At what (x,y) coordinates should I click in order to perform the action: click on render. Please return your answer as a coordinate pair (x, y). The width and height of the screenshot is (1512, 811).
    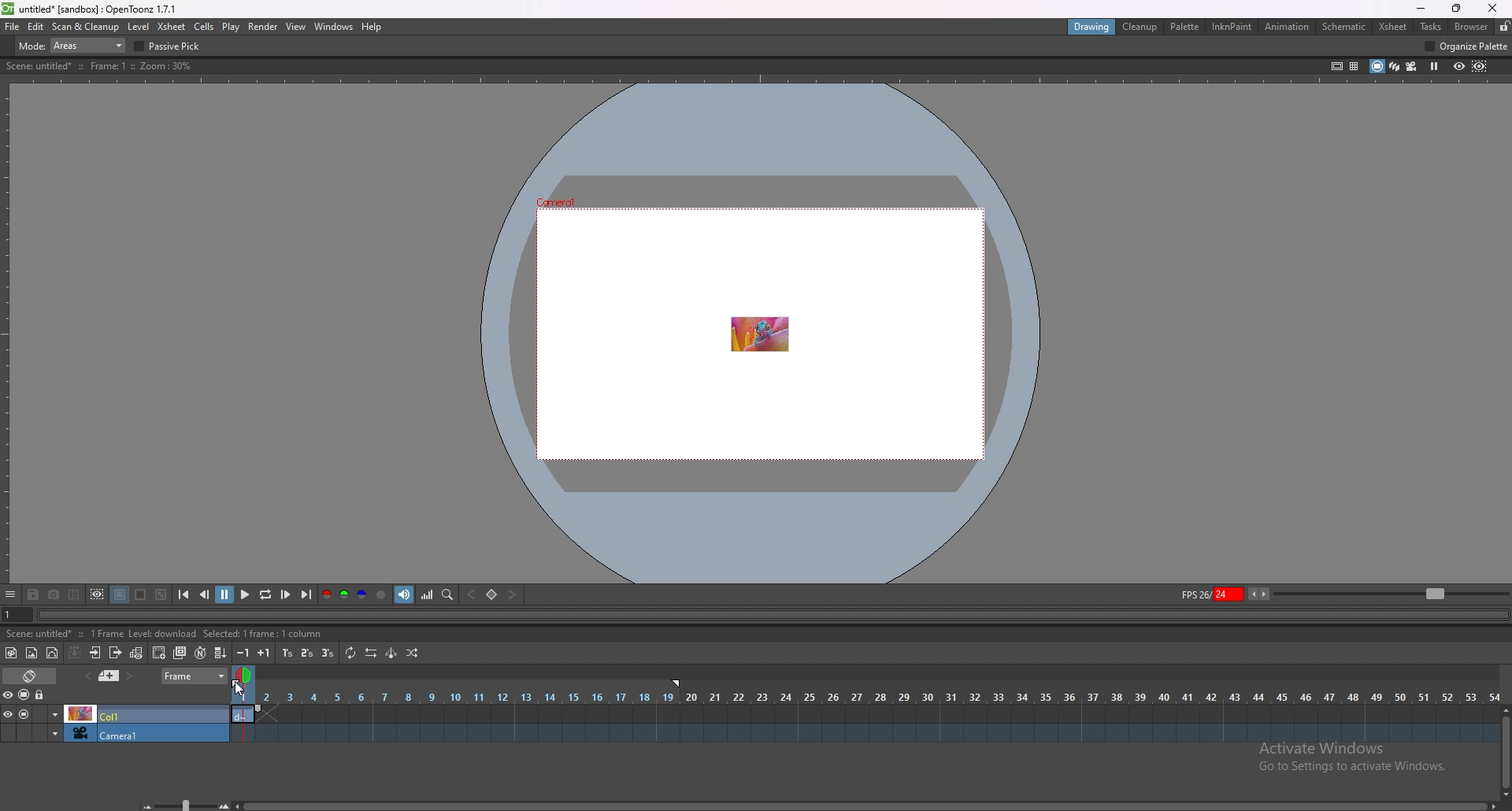
    Looking at the image, I should click on (264, 27).